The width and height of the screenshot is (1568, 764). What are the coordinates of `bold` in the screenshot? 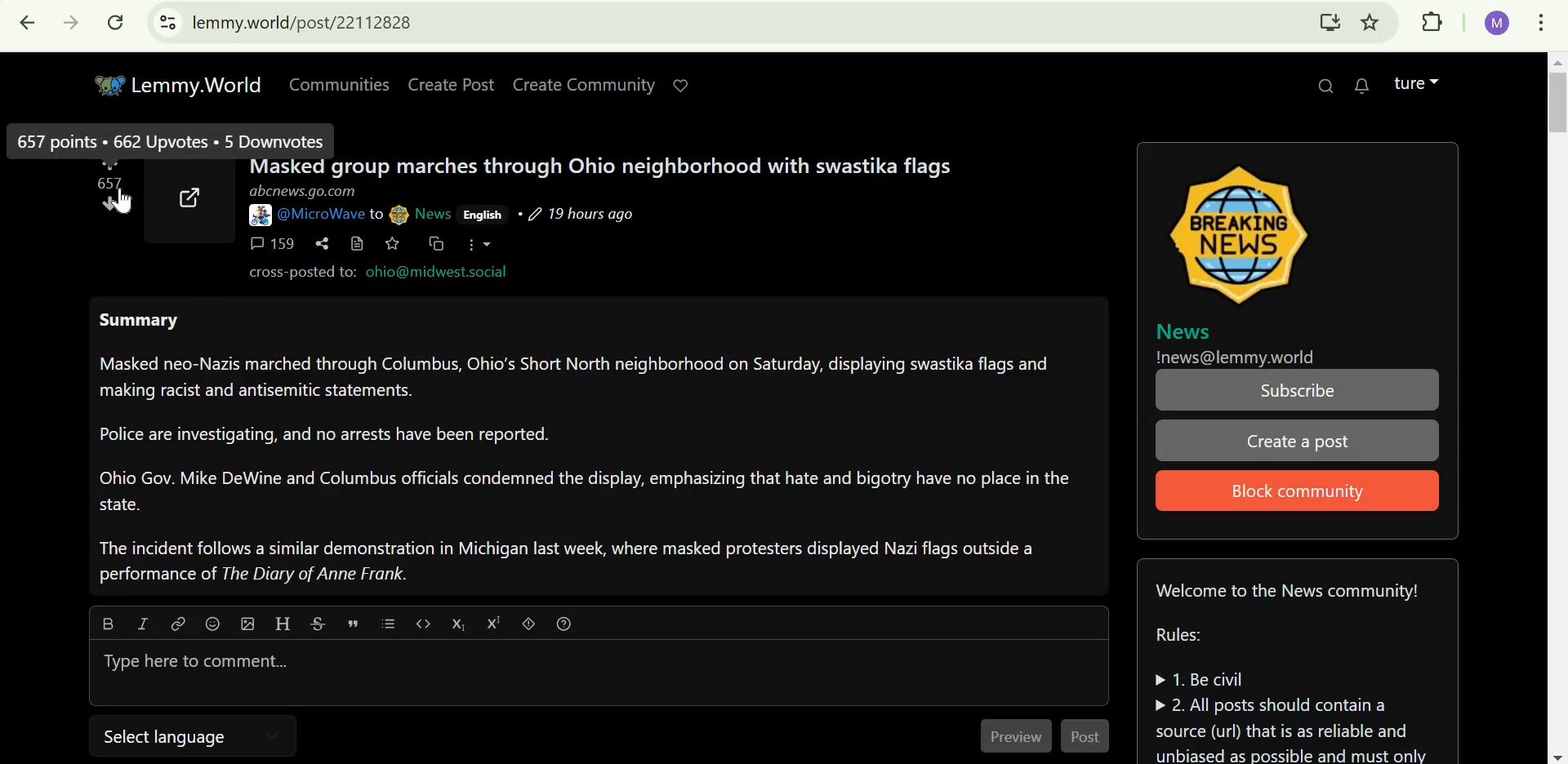 It's located at (105, 623).